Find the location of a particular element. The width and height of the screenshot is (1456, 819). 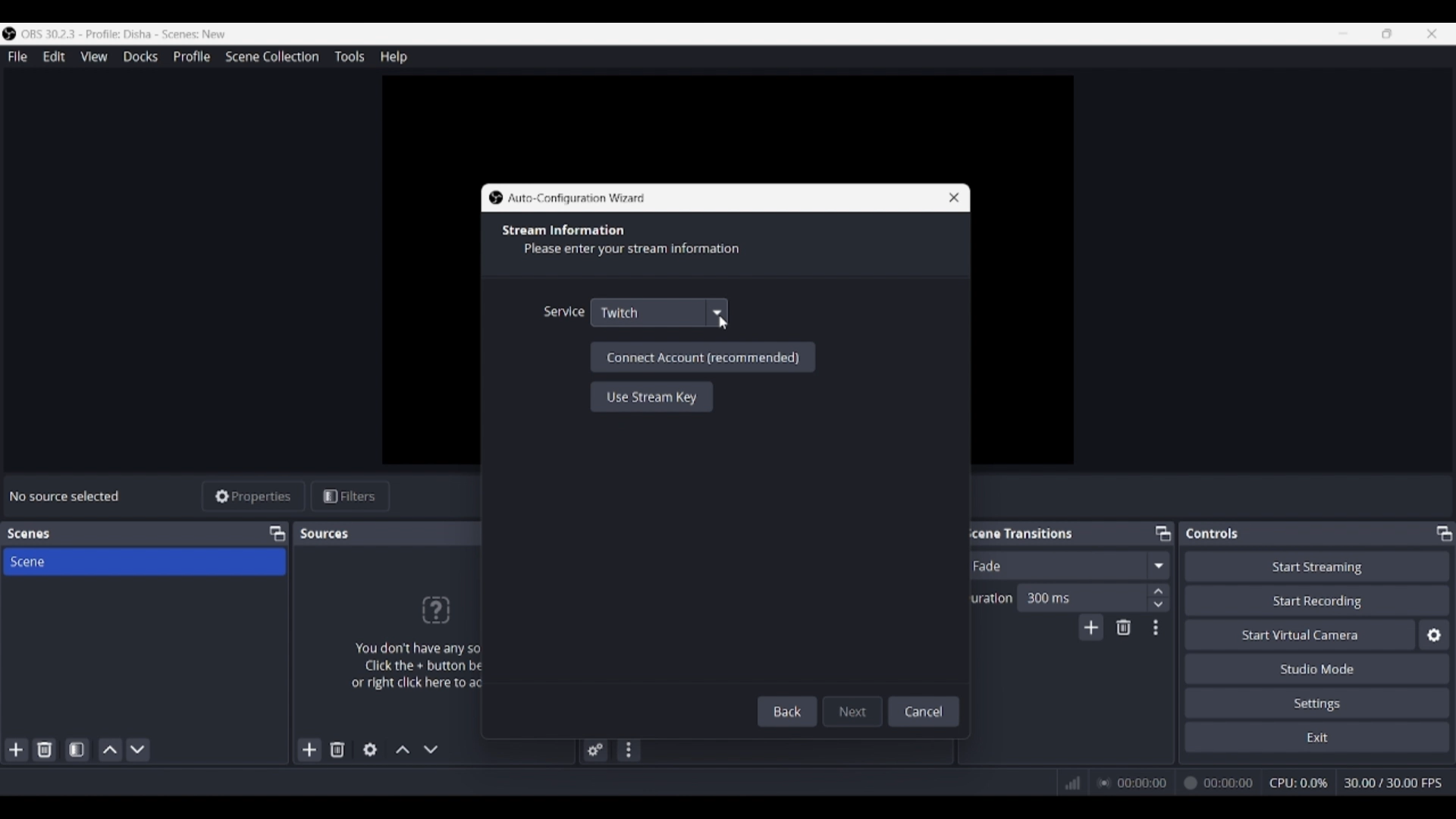

Help menu is located at coordinates (394, 57).